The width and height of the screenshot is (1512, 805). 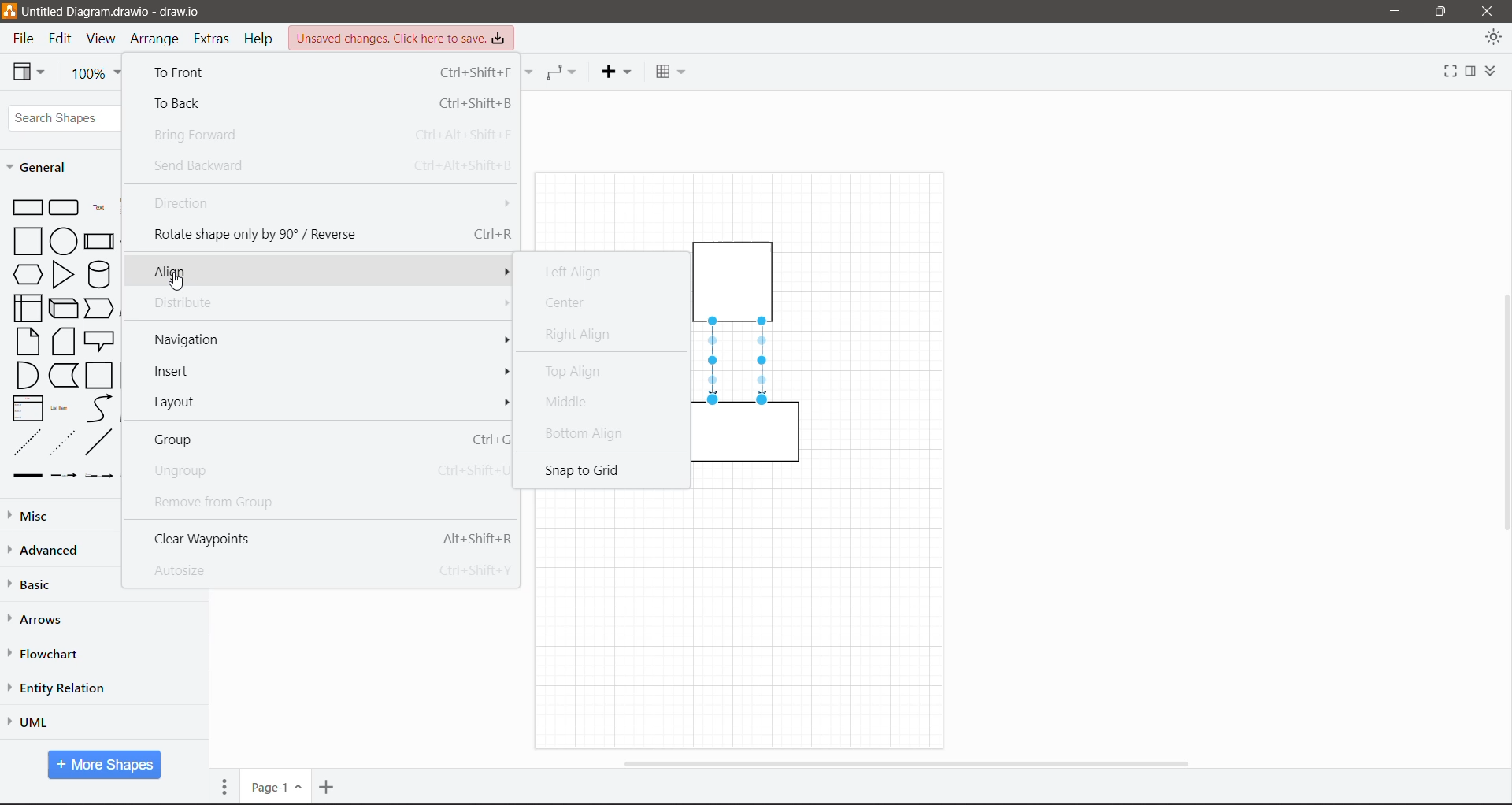 What do you see at coordinates (1493, 39) in the screenshot?
I see `Appearance` at bounding box center [1493, 39].